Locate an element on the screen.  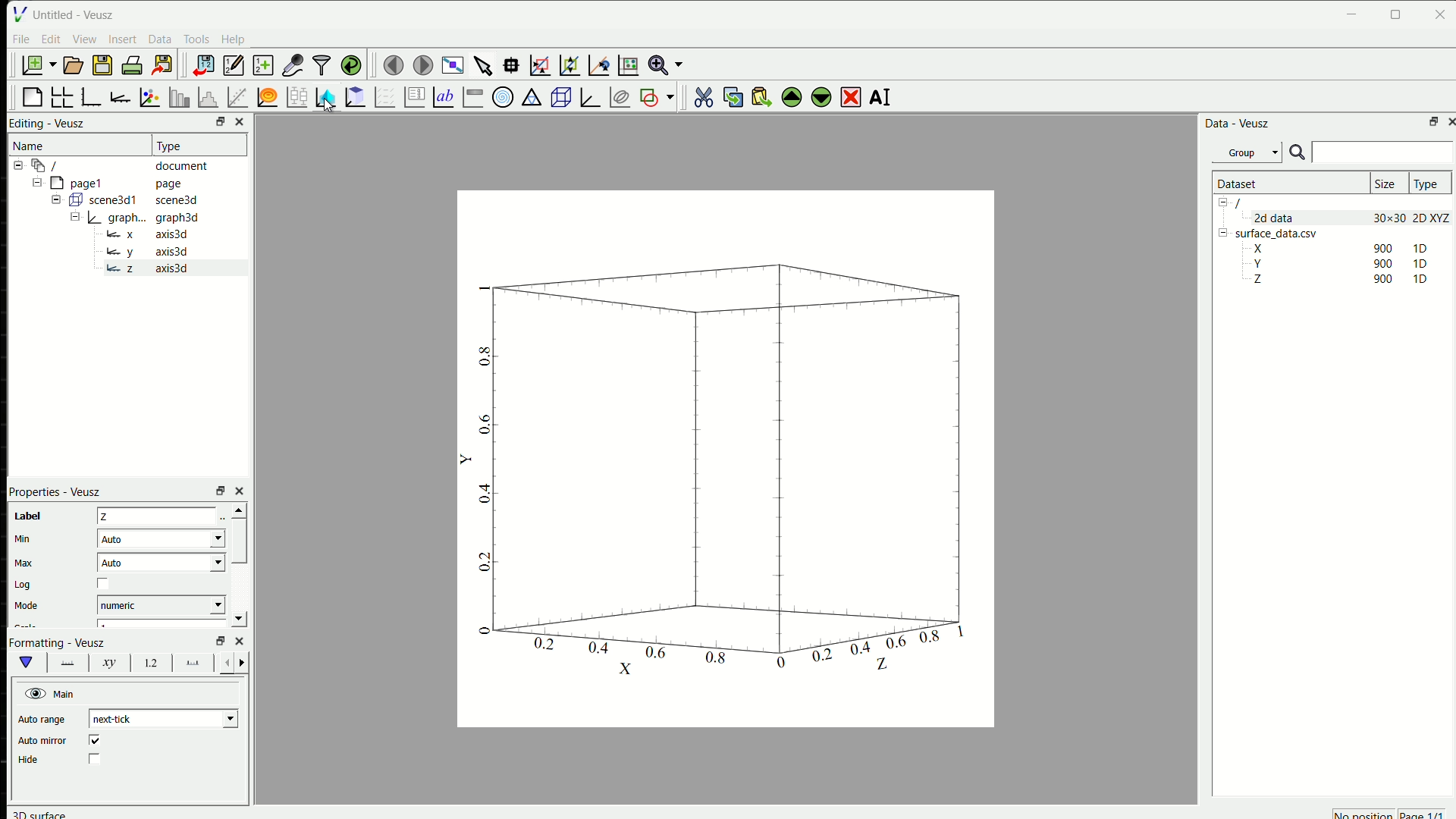
open in separate window is located at coordinates (1433, 121).